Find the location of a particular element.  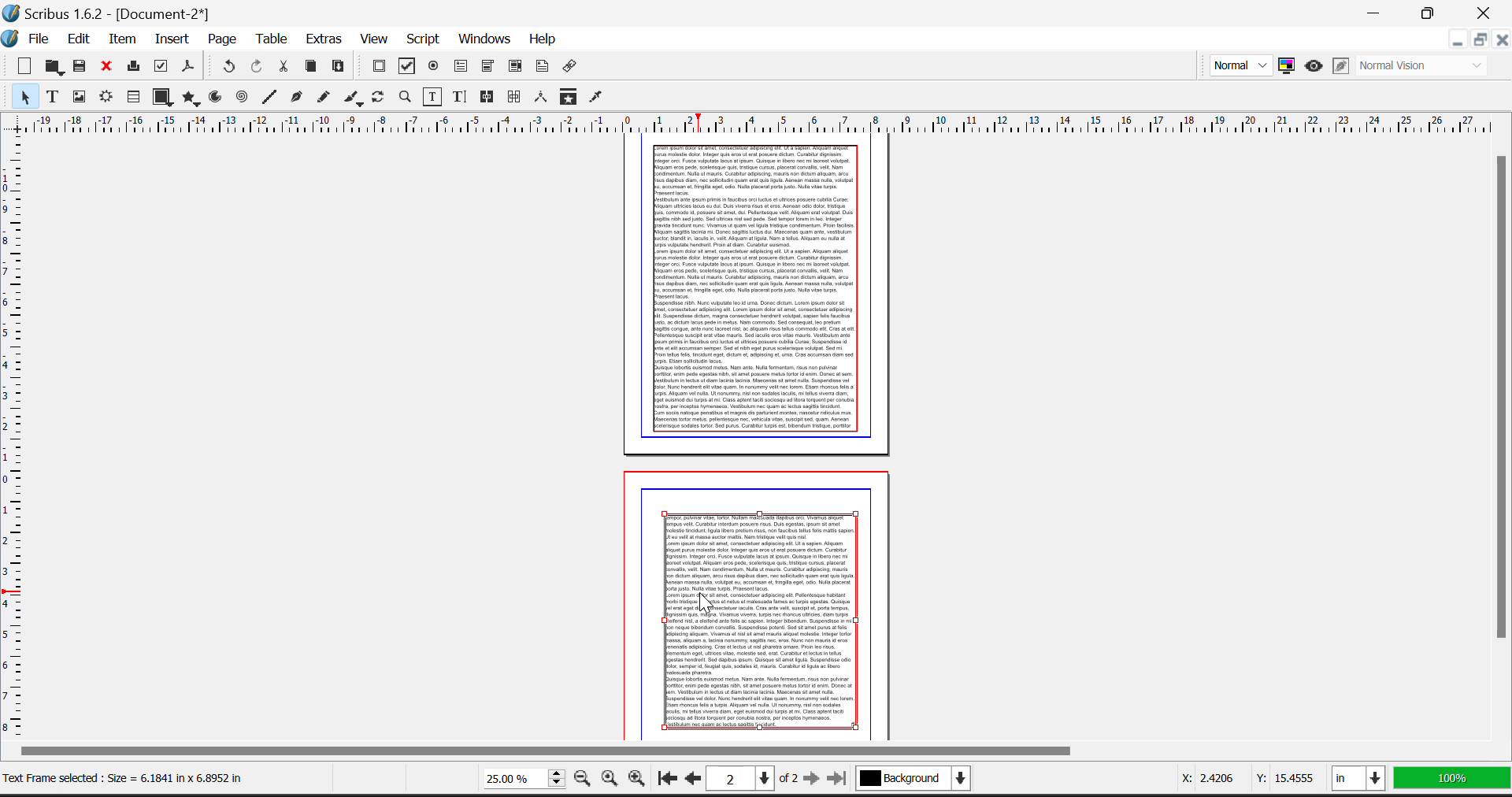

100% is located at coordinates (1454, 782).